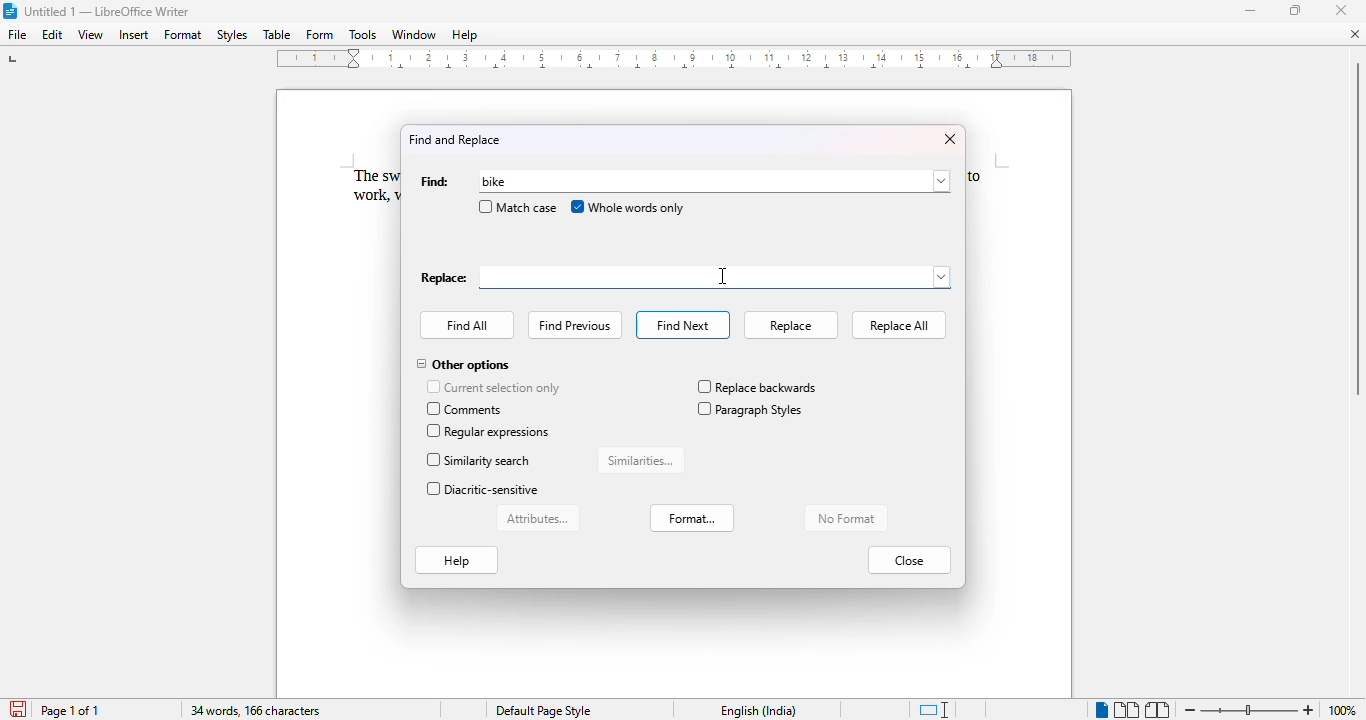 The height and width of the screenshot is (720, 1366). What do you see at coordinates (974, 176) in the screenshot?
I see `to` at bounding box center [974, 176].